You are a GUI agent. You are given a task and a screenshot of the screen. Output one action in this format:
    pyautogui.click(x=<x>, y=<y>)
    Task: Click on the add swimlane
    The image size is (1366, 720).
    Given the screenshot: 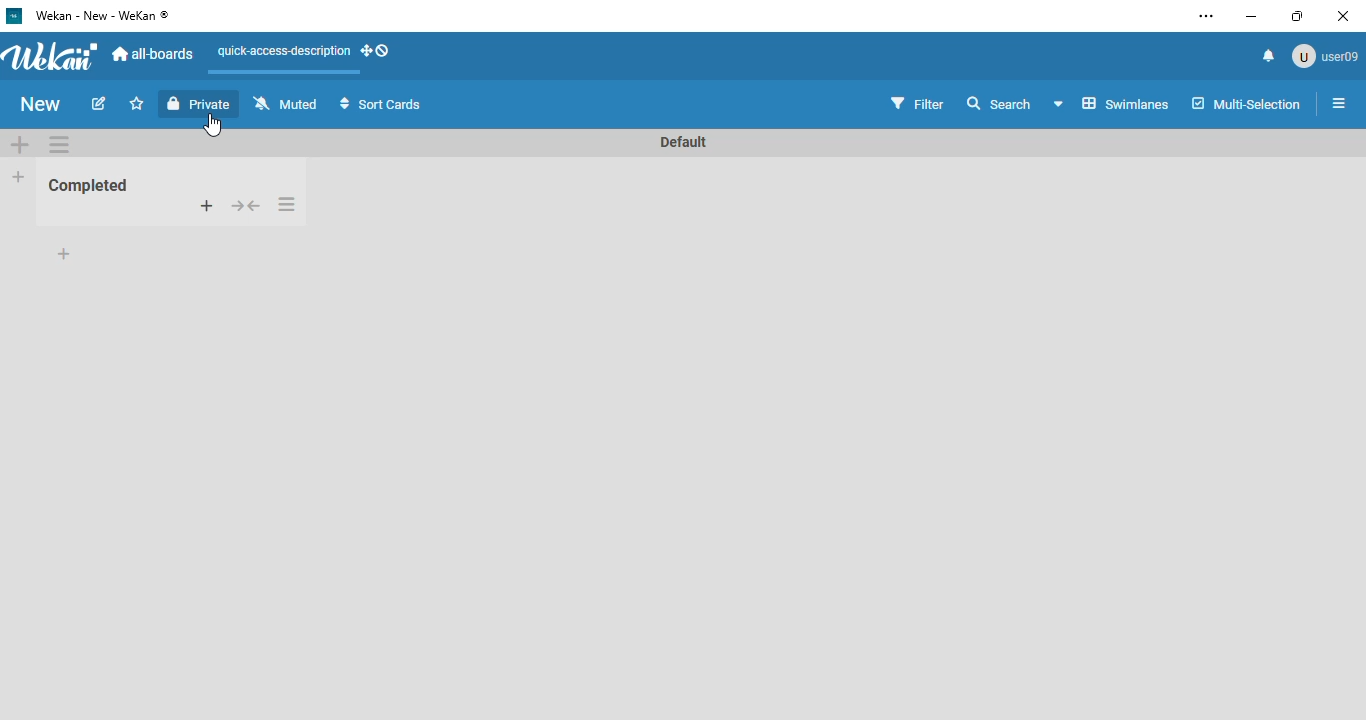 What is the action you would take?
    pyautogui.click(x=20, y=143)
    